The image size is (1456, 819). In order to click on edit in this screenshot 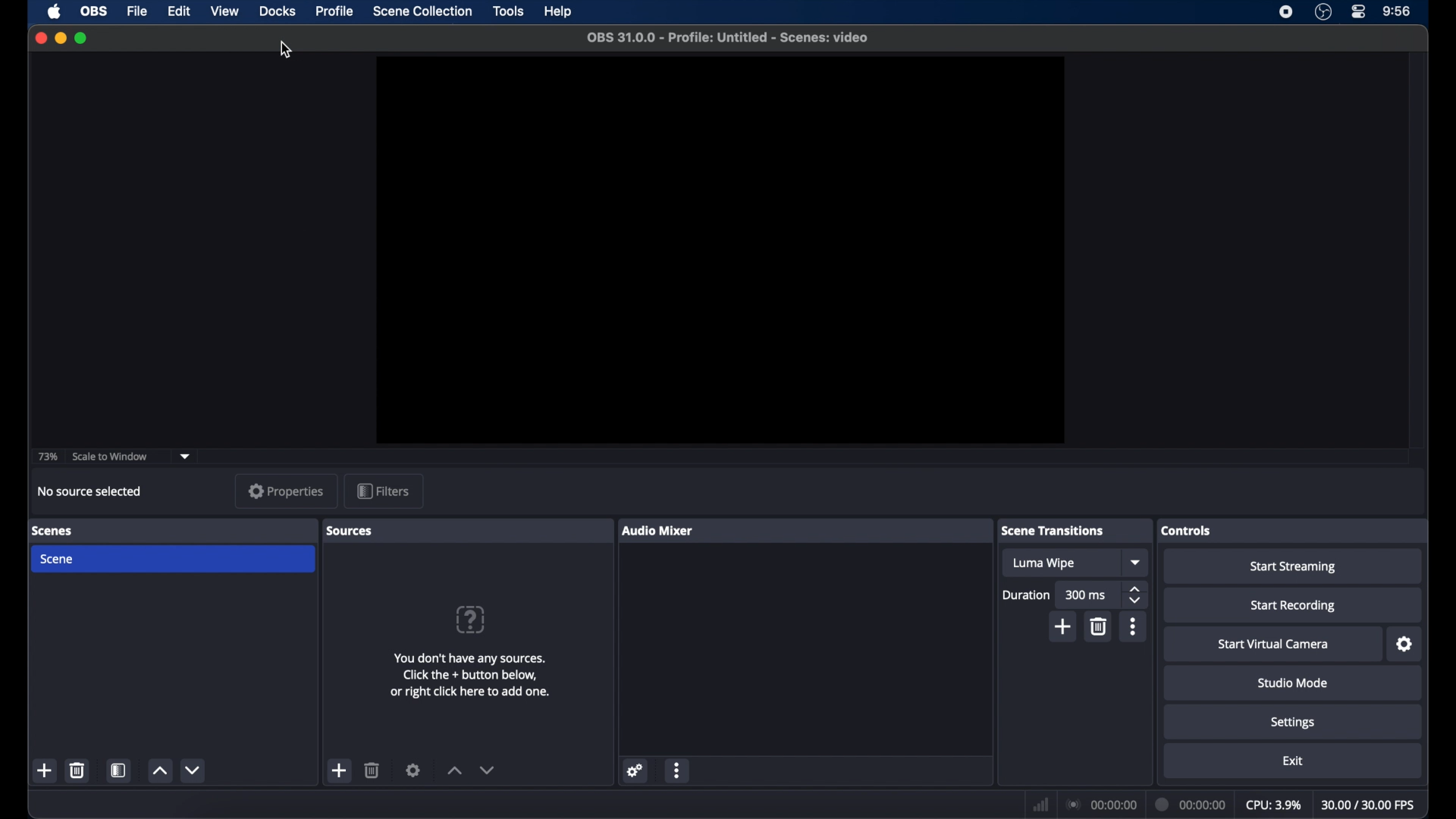, I will do `click(178, 11)`.